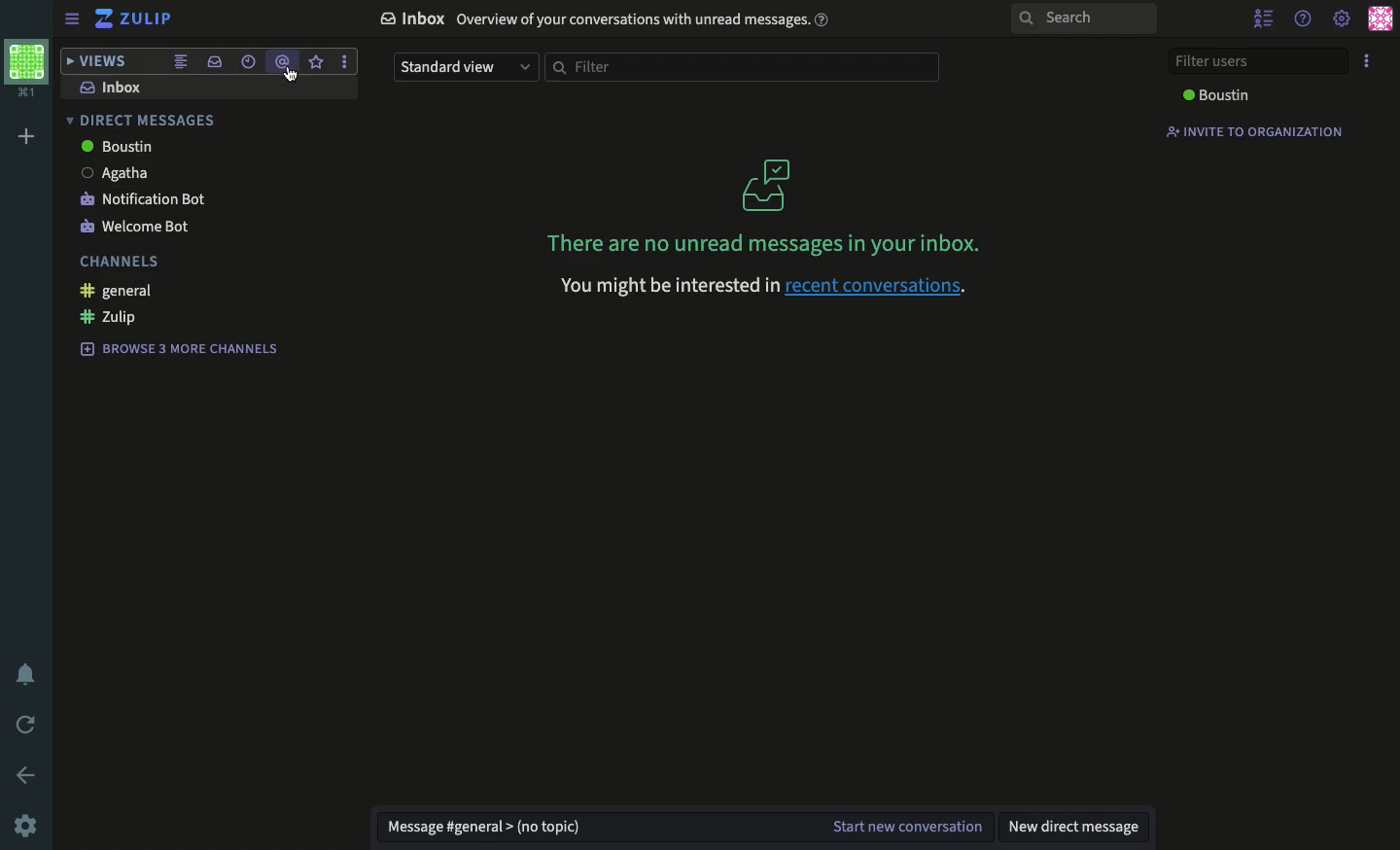 Image resolution: width=1400 pixels, height=850 pixels. Describe the element at coordinates (1268, 19) in the screenshot. I see `hide user list` at that location.